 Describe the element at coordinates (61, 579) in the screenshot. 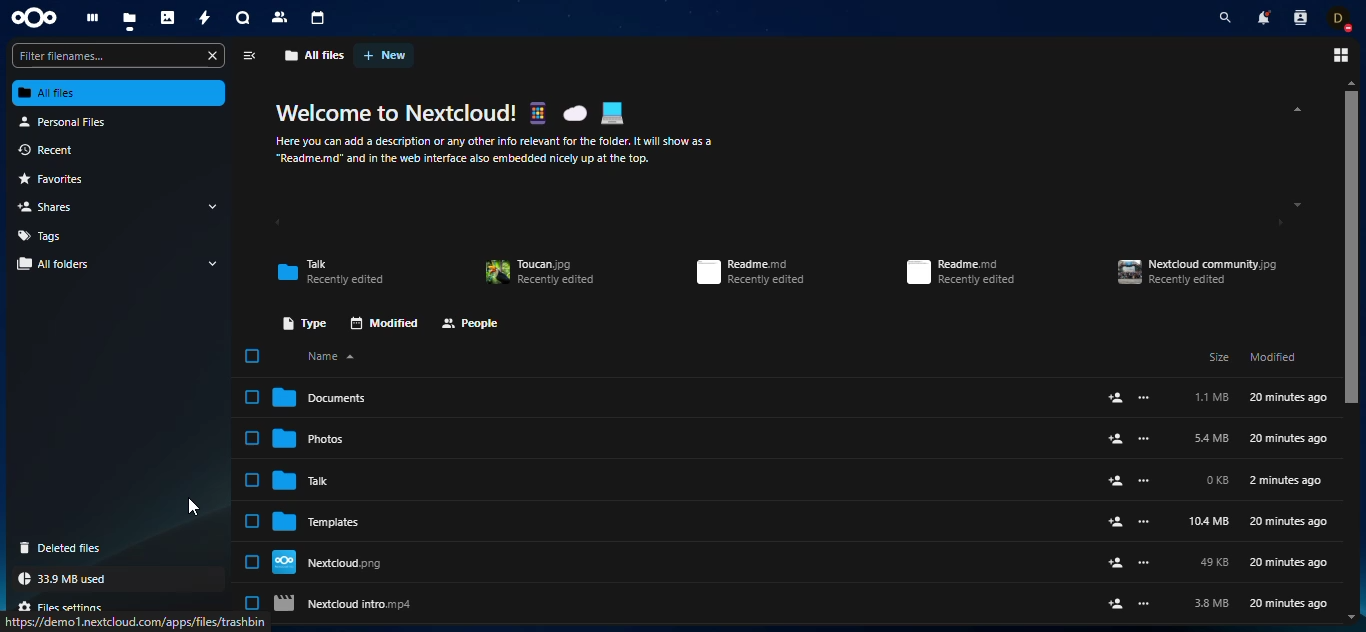

I see `33.9 MB used` at that location.